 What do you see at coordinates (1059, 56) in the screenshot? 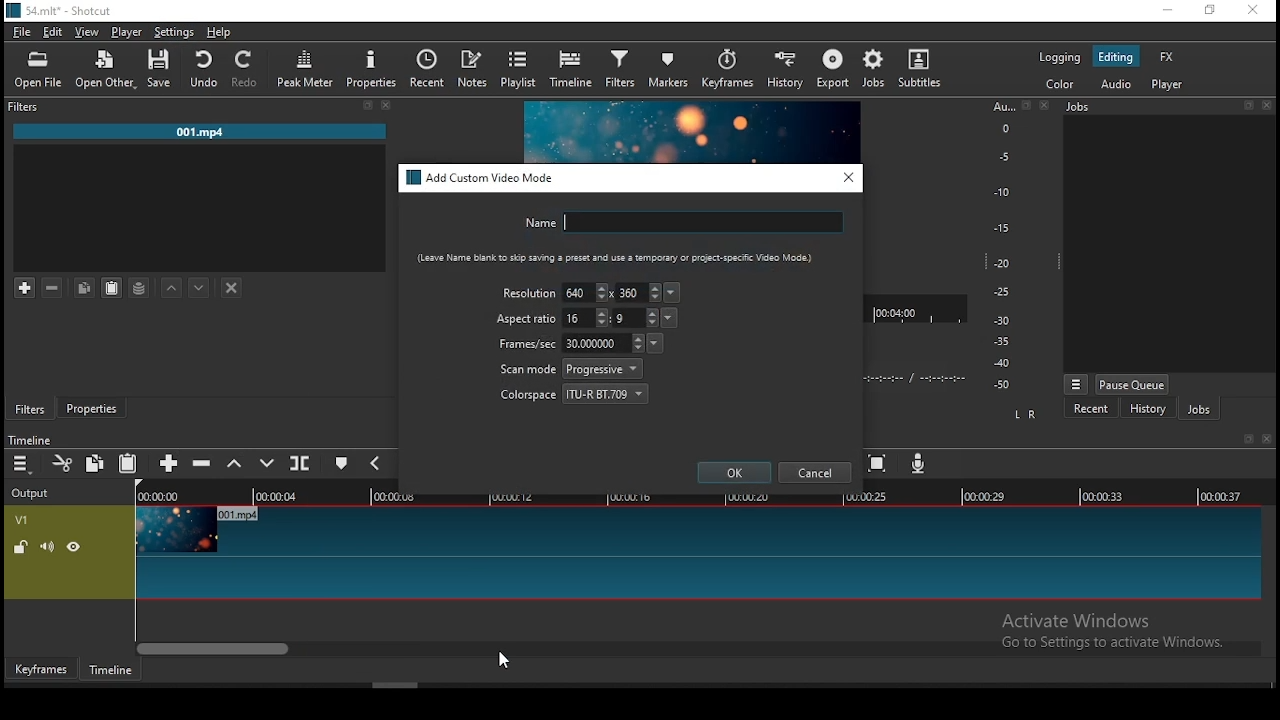
I see `logging` at bounding box center [1059, 56].